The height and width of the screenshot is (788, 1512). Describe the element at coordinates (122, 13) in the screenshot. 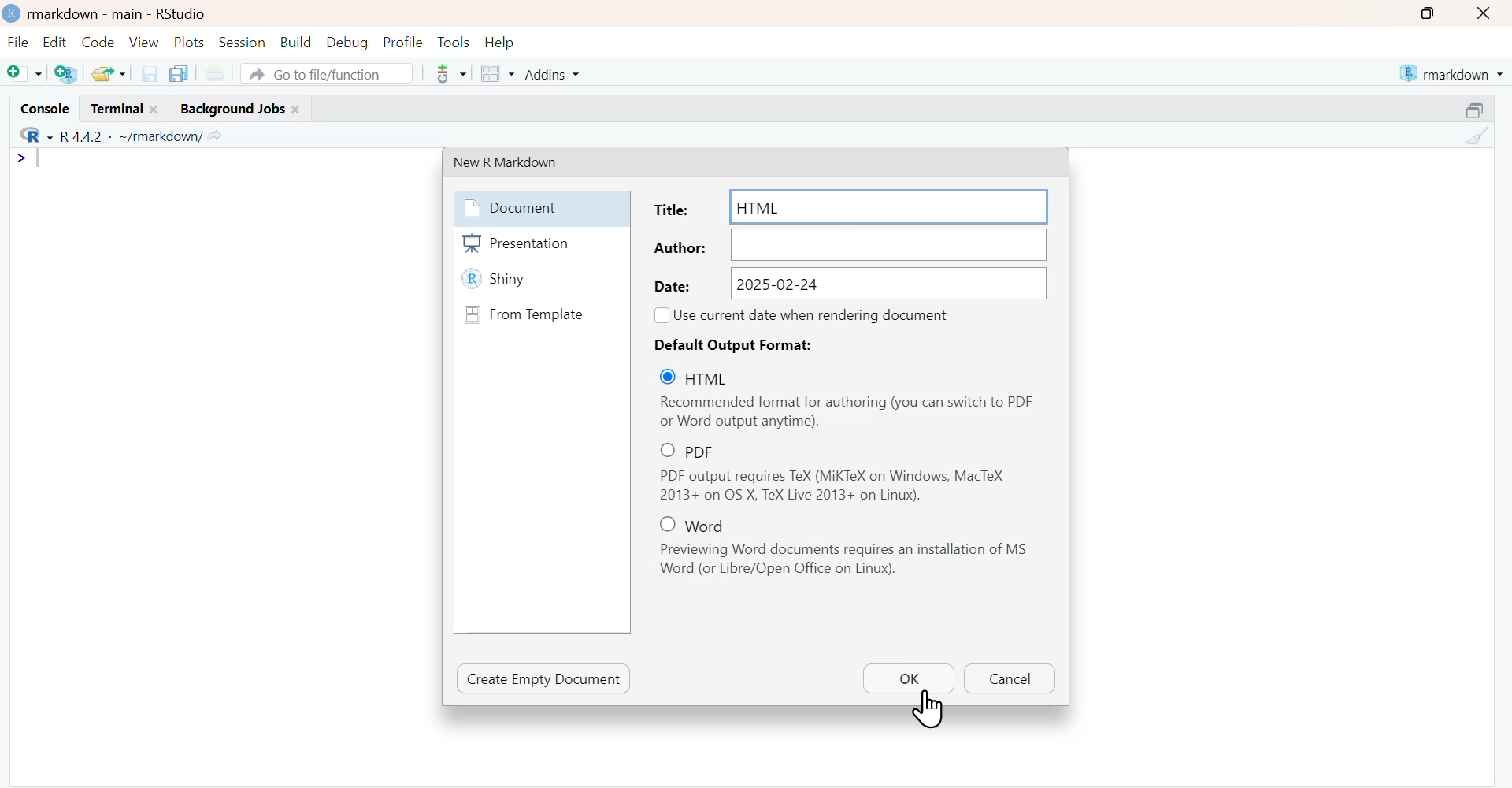

I see `Rmarkdown - main - RStudio` at that location.